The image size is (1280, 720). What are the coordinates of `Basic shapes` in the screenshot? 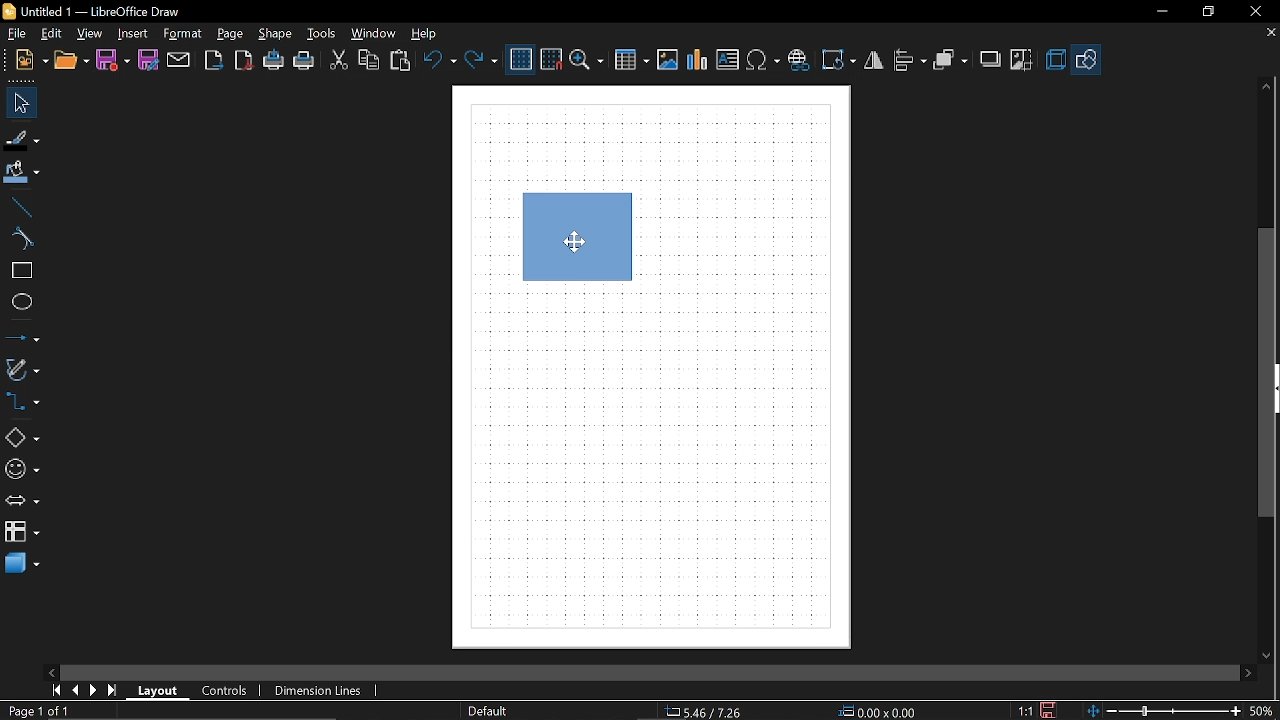 It's located at (22, 434).